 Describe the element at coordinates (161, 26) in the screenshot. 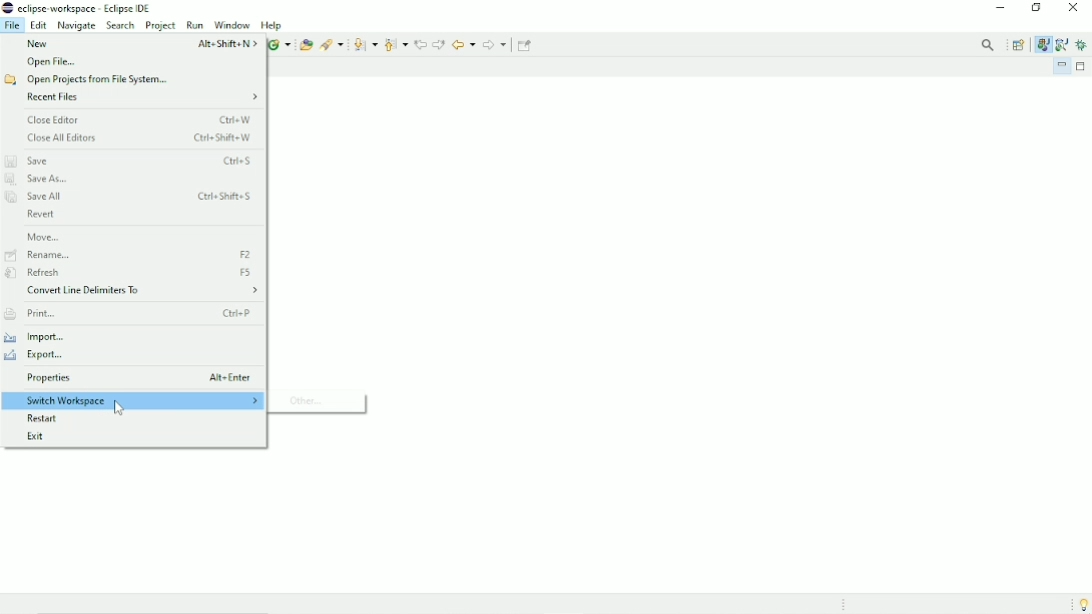

I see `Project` at that location.